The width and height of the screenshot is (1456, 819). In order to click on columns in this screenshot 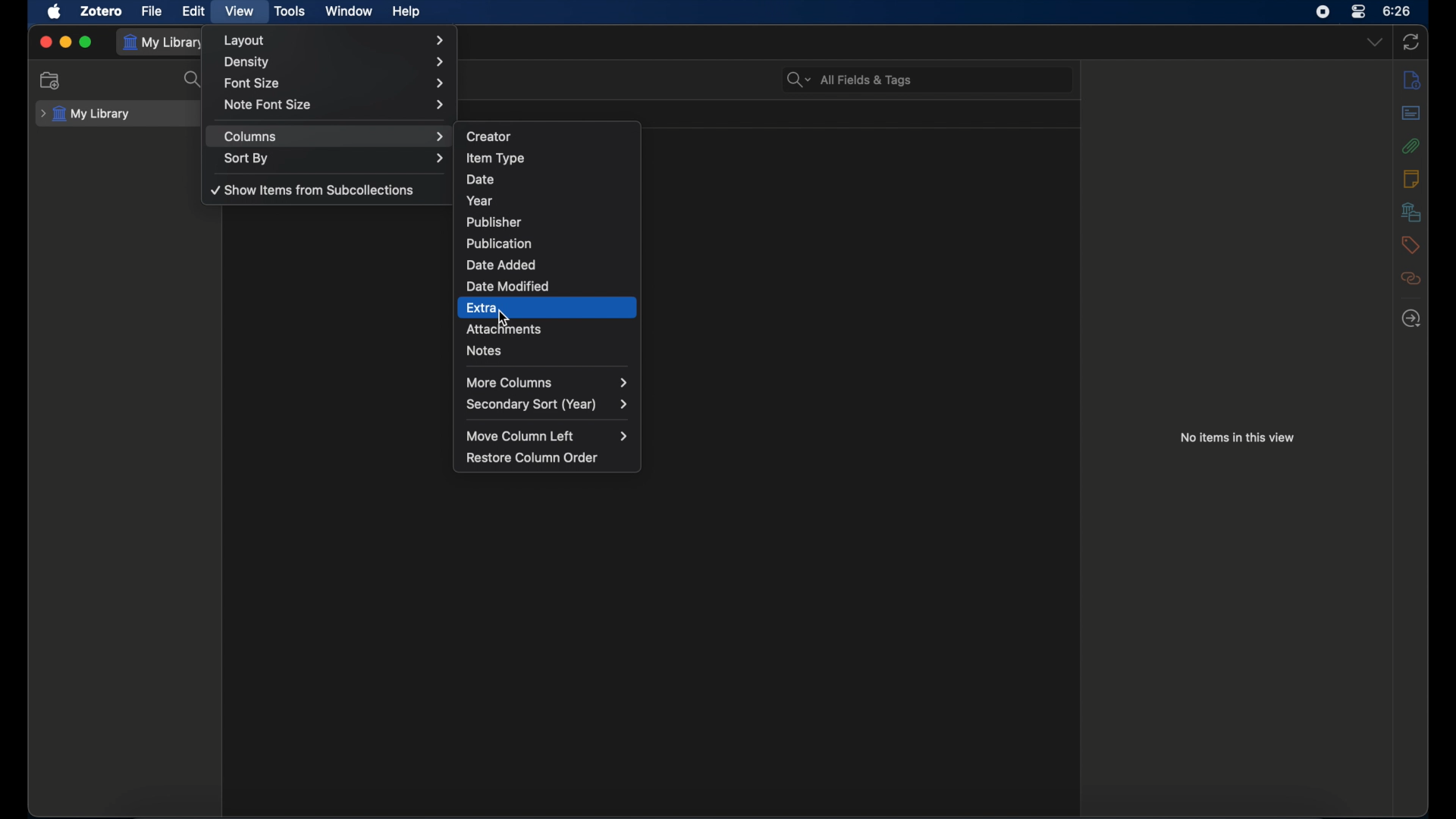, I will do `click(335, 136)`.